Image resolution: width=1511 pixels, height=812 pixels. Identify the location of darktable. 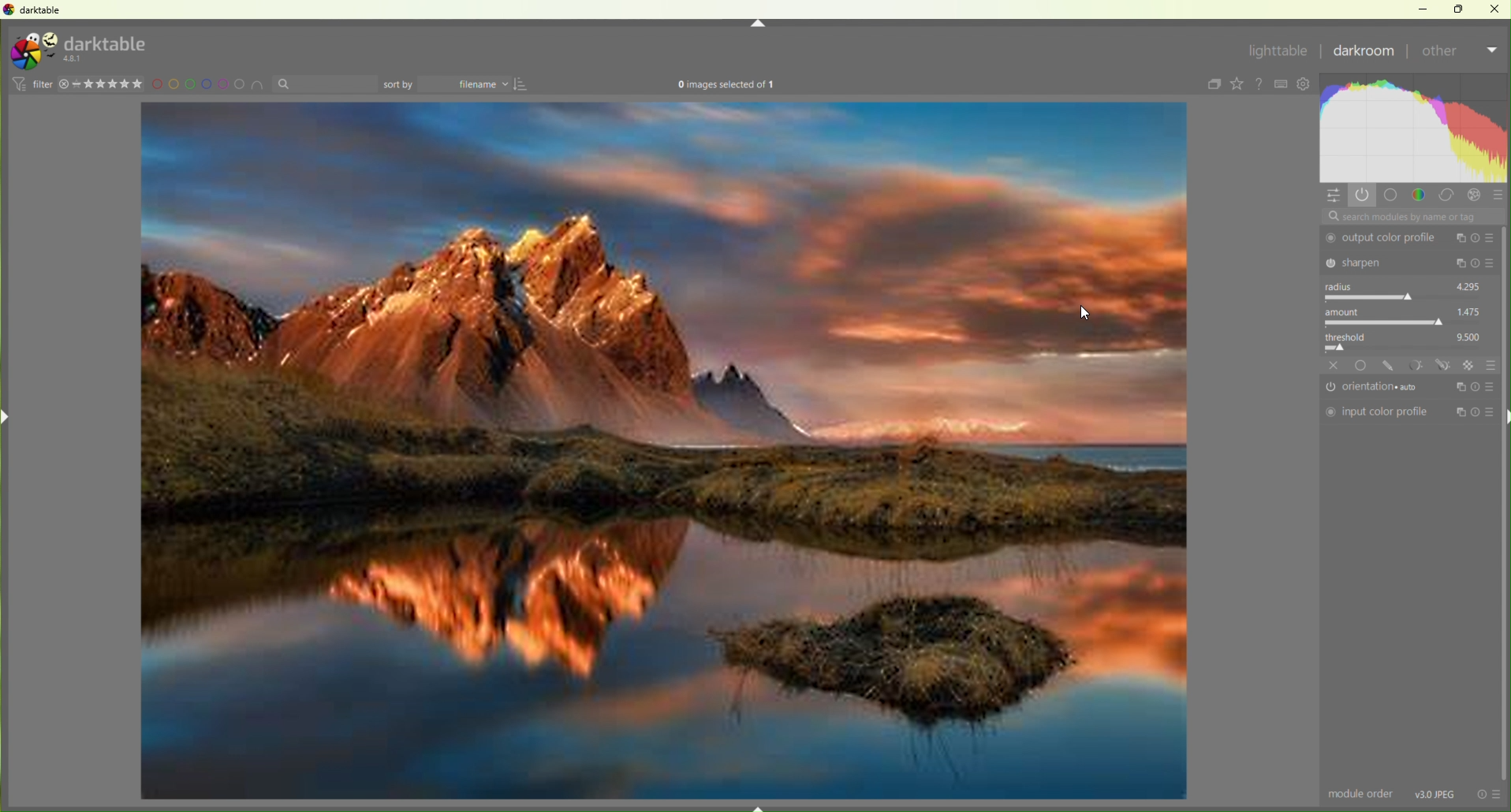
(107, 42).